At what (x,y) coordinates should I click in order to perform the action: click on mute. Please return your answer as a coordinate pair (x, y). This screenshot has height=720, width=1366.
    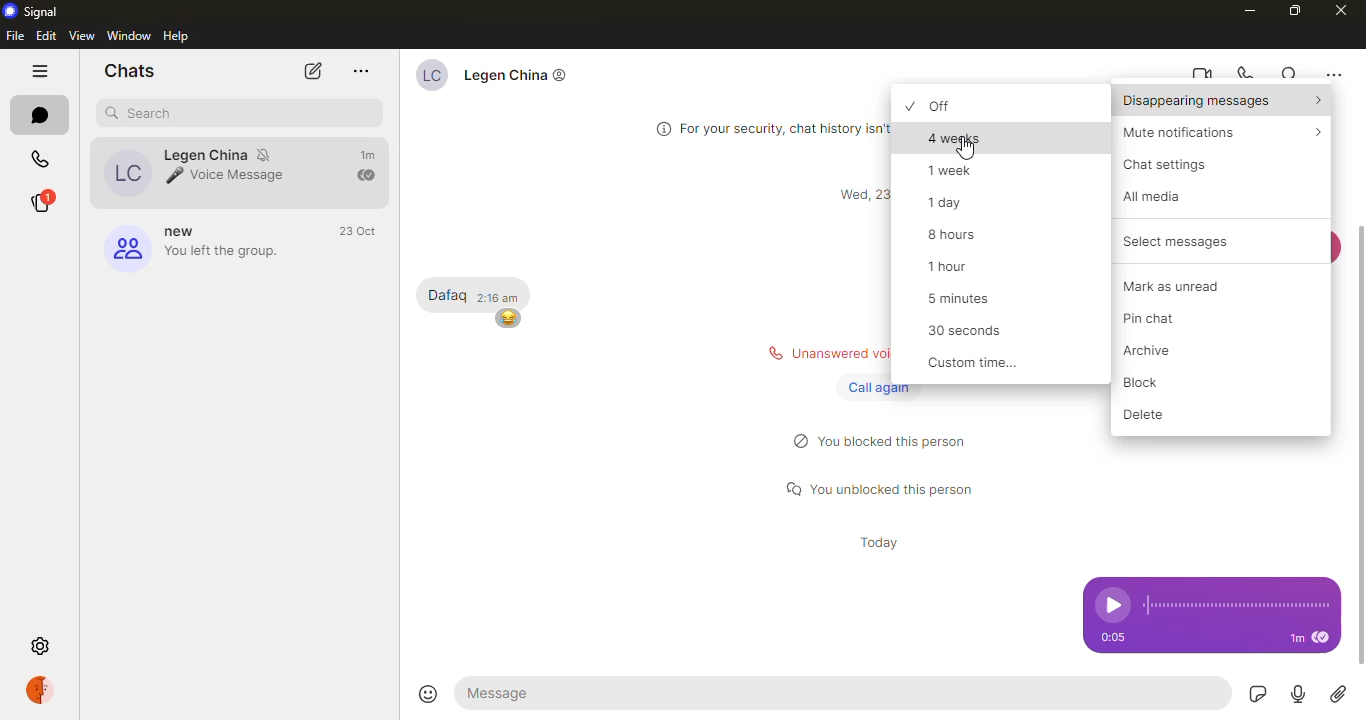
    Looking at the image, I should click on (1210, 133).